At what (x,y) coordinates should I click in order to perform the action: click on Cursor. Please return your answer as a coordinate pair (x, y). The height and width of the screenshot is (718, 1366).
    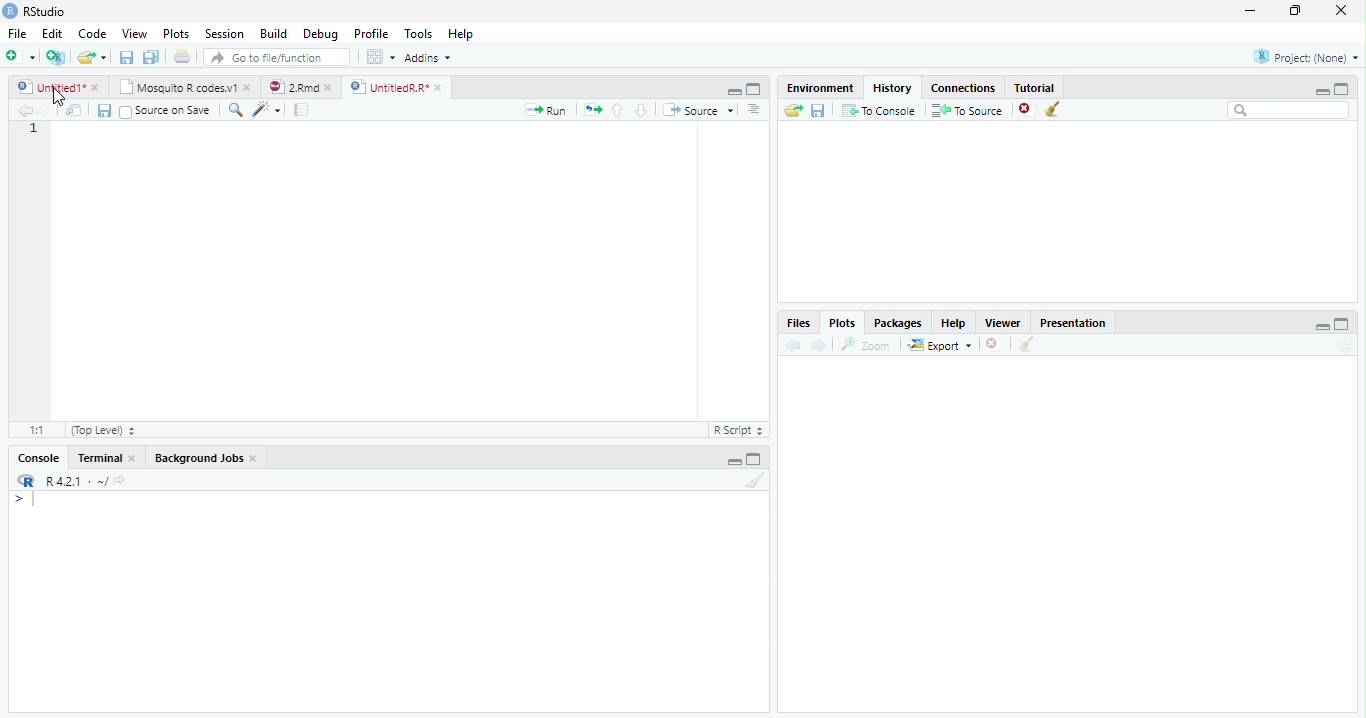
    Looking at the image, I should click on (38, 501).